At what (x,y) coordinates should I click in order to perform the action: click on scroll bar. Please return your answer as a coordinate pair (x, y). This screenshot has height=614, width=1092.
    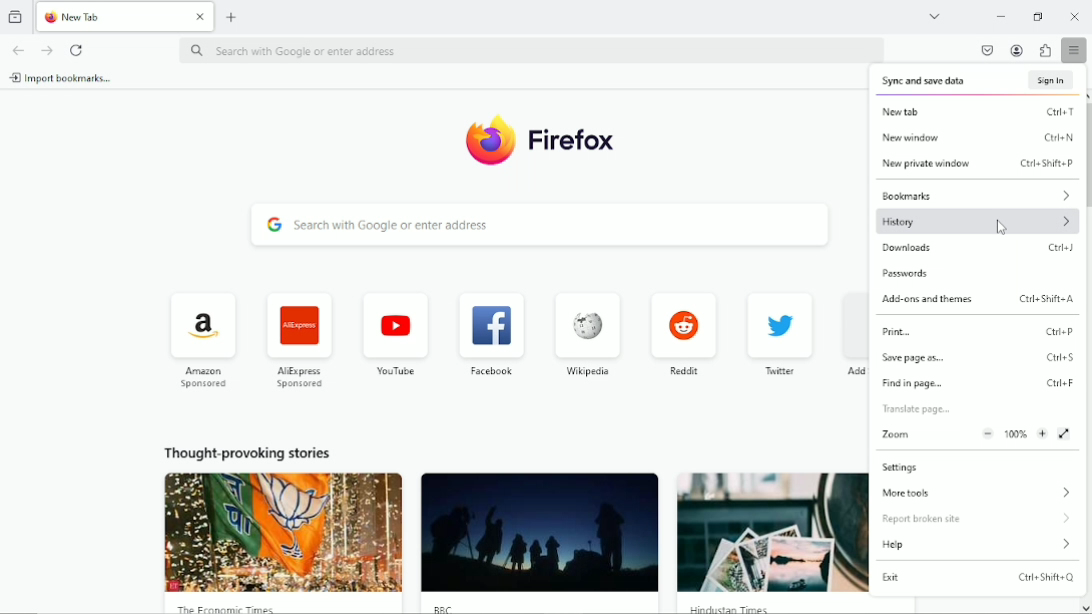
    Looking at the image, I should click on (1085, 155).